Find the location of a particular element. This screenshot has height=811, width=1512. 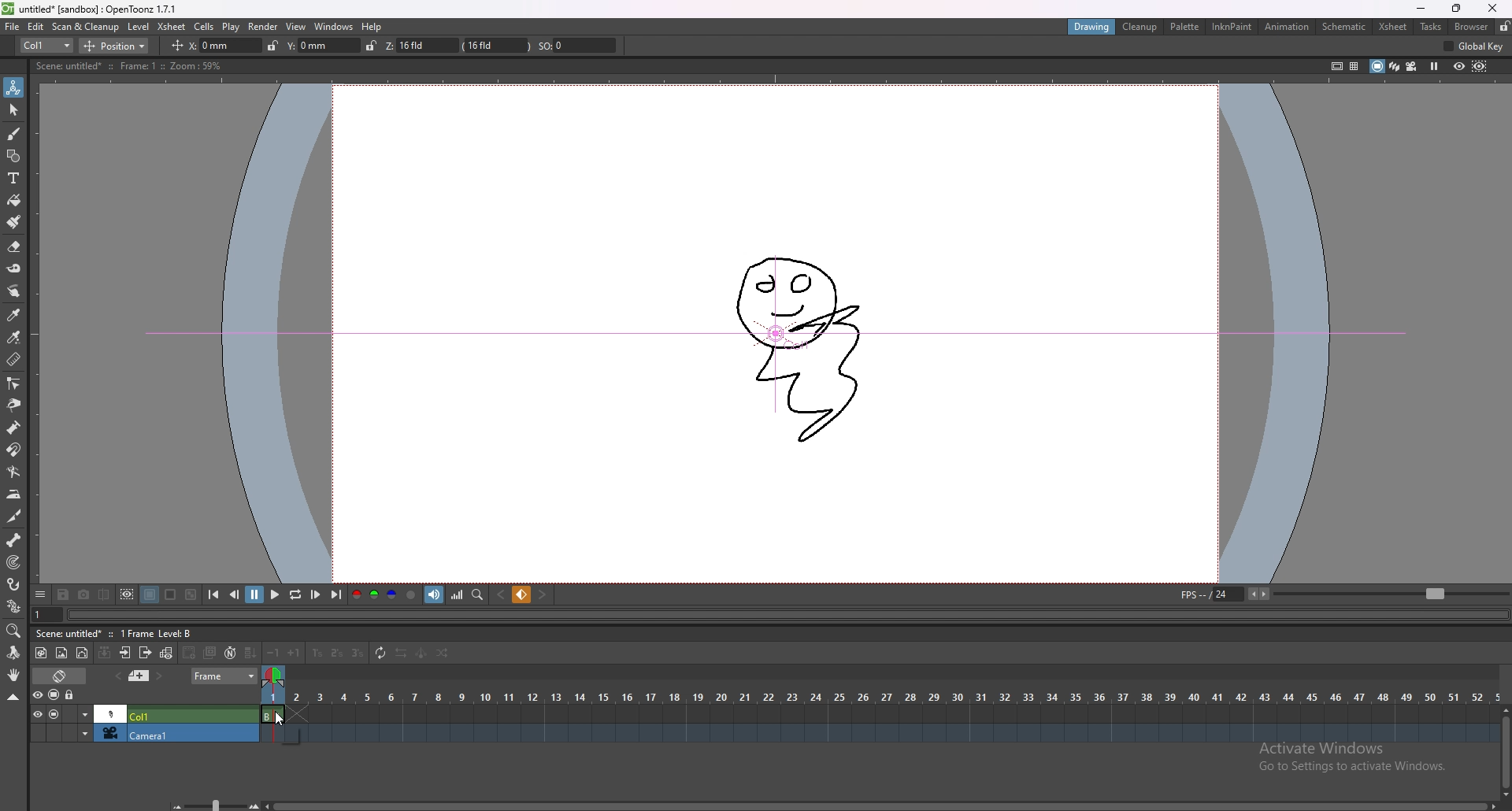

rgb picker is located at coordinates (13, 337).